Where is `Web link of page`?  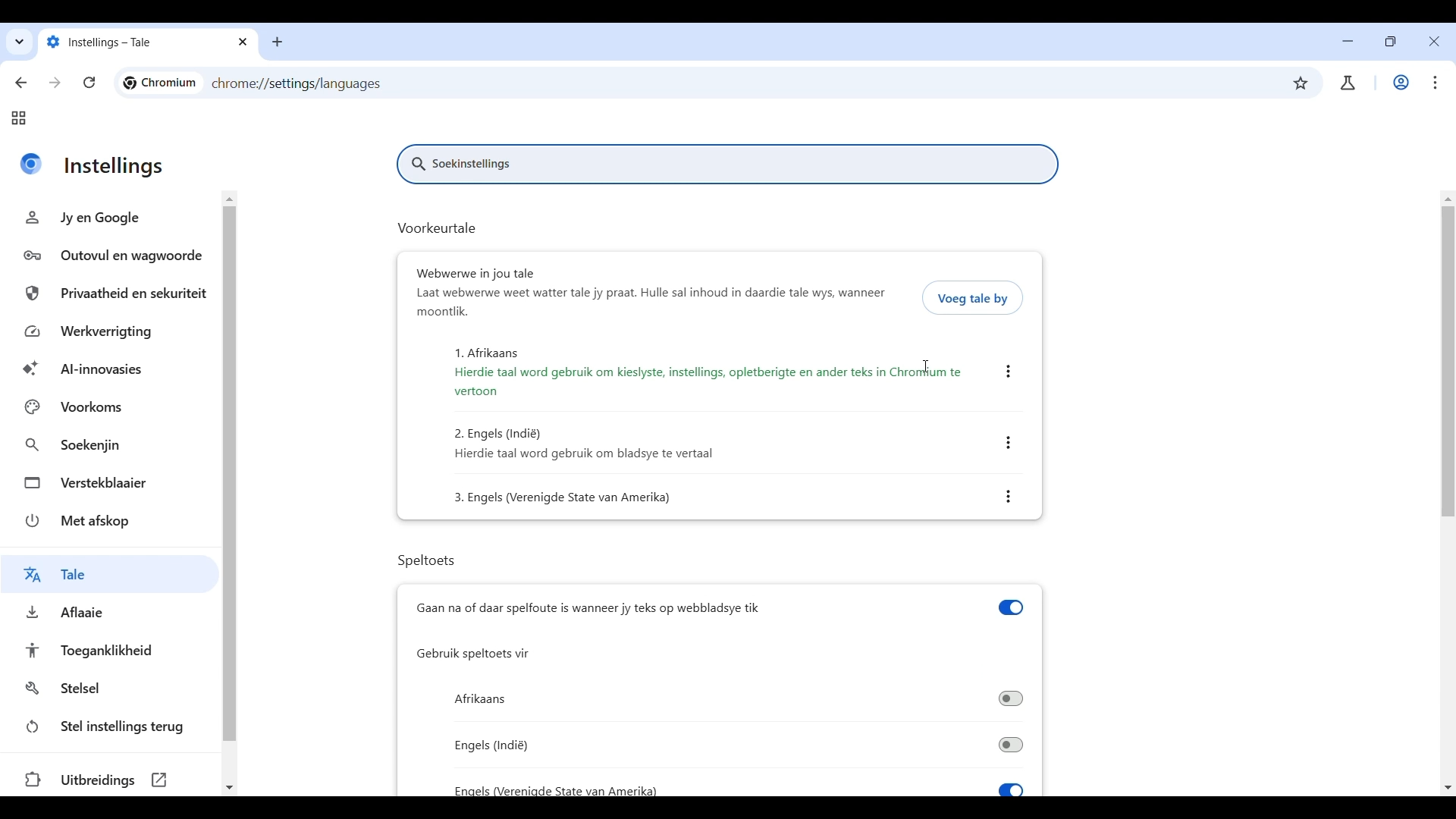
Web link of page is located at coordinates (297, 84).